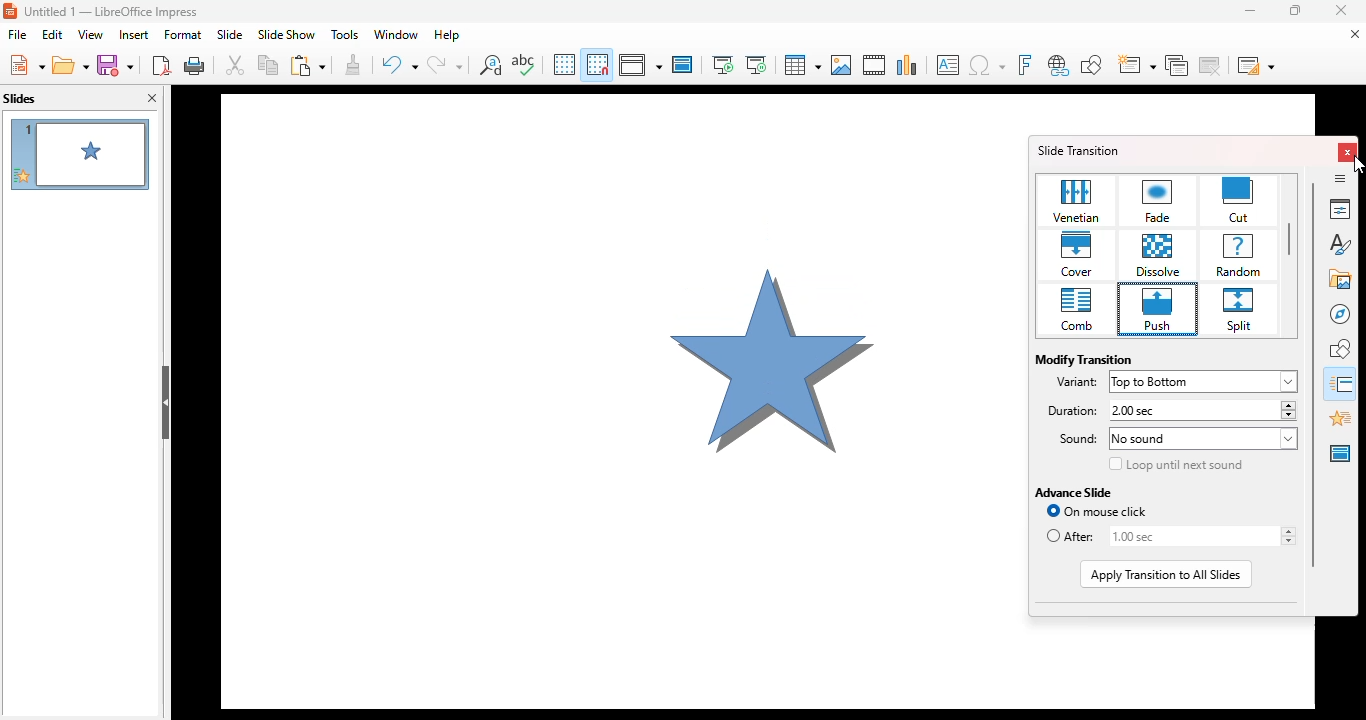 This screenshot has width=1366, height=720. Describe the element at coordinates (164, 403) in the screenshot. I see `hide` at that location.